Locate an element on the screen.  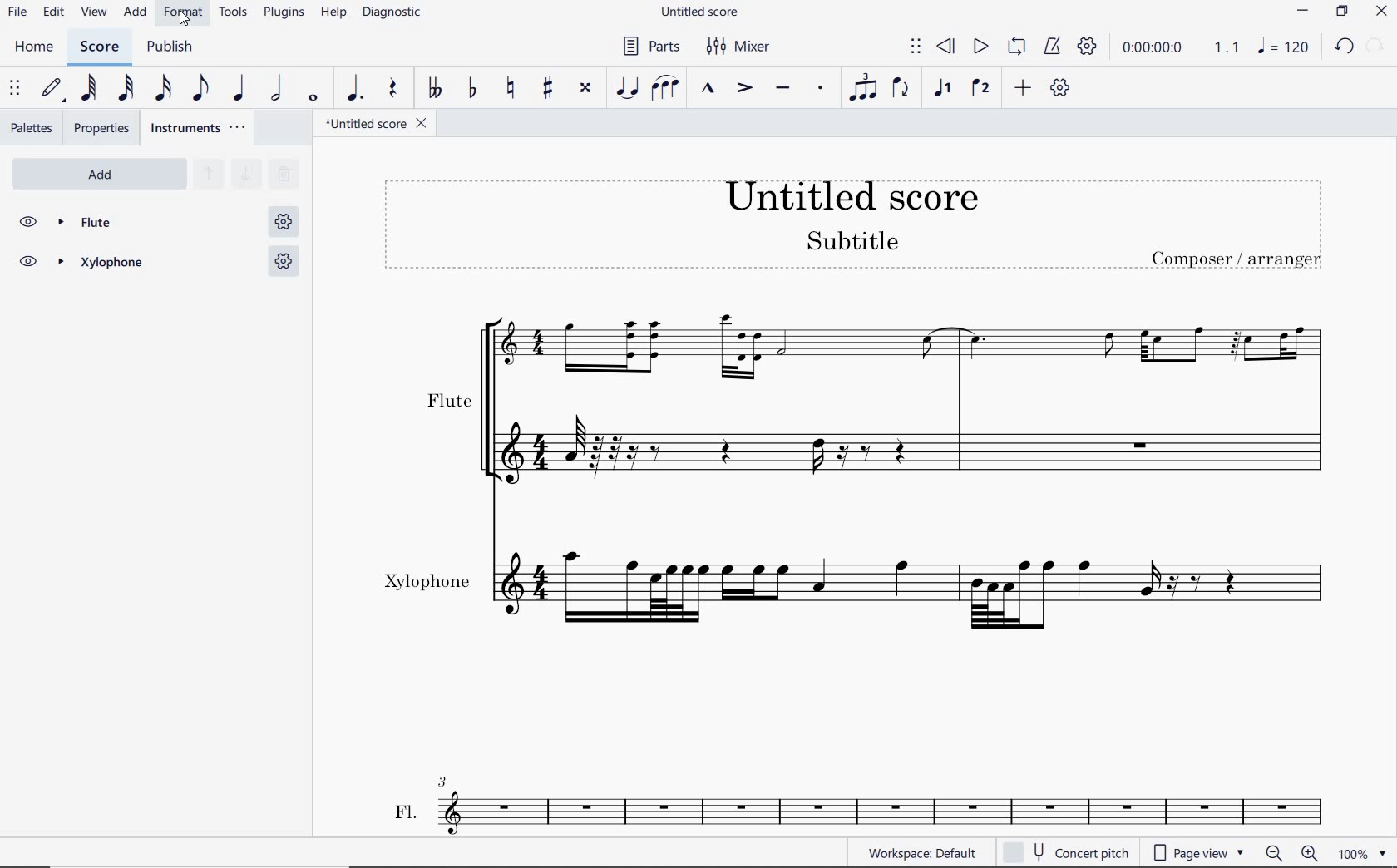
PARTS is located at coordinates (649, 46).